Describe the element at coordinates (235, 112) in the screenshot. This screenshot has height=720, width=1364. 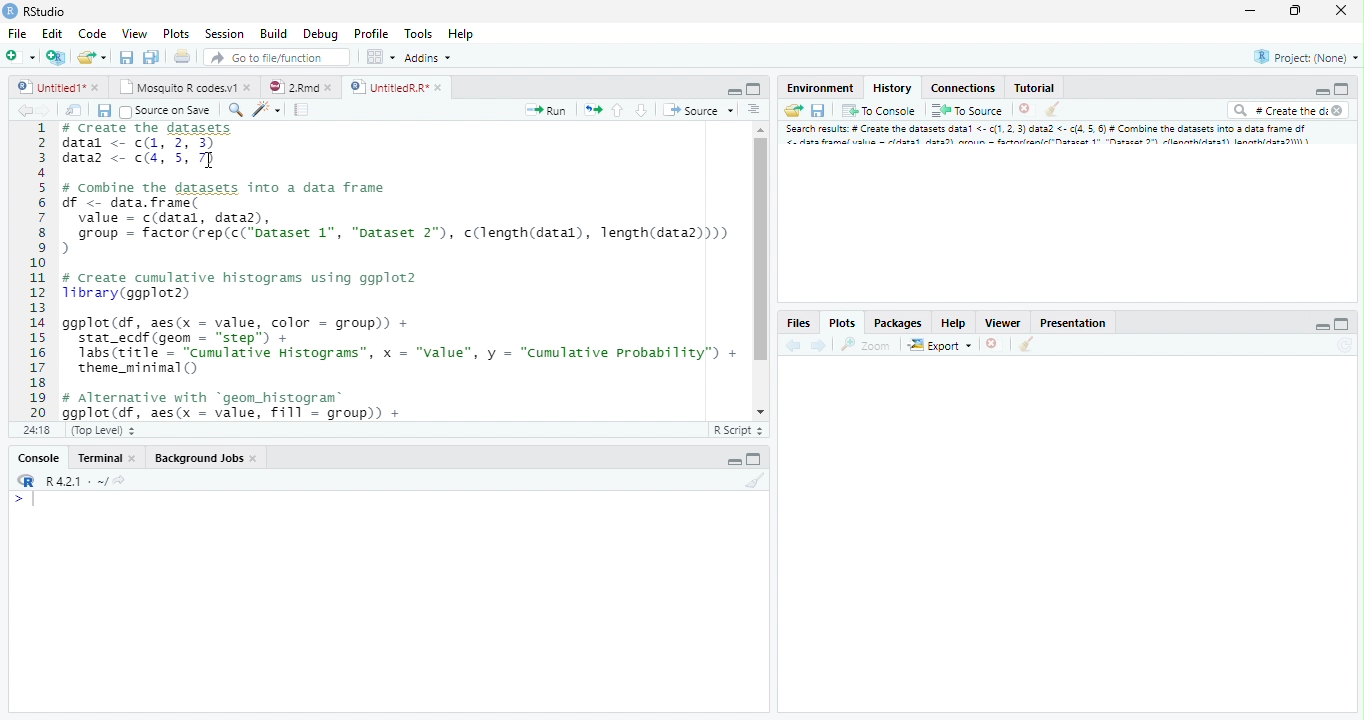
I see `Zoom` at that location.